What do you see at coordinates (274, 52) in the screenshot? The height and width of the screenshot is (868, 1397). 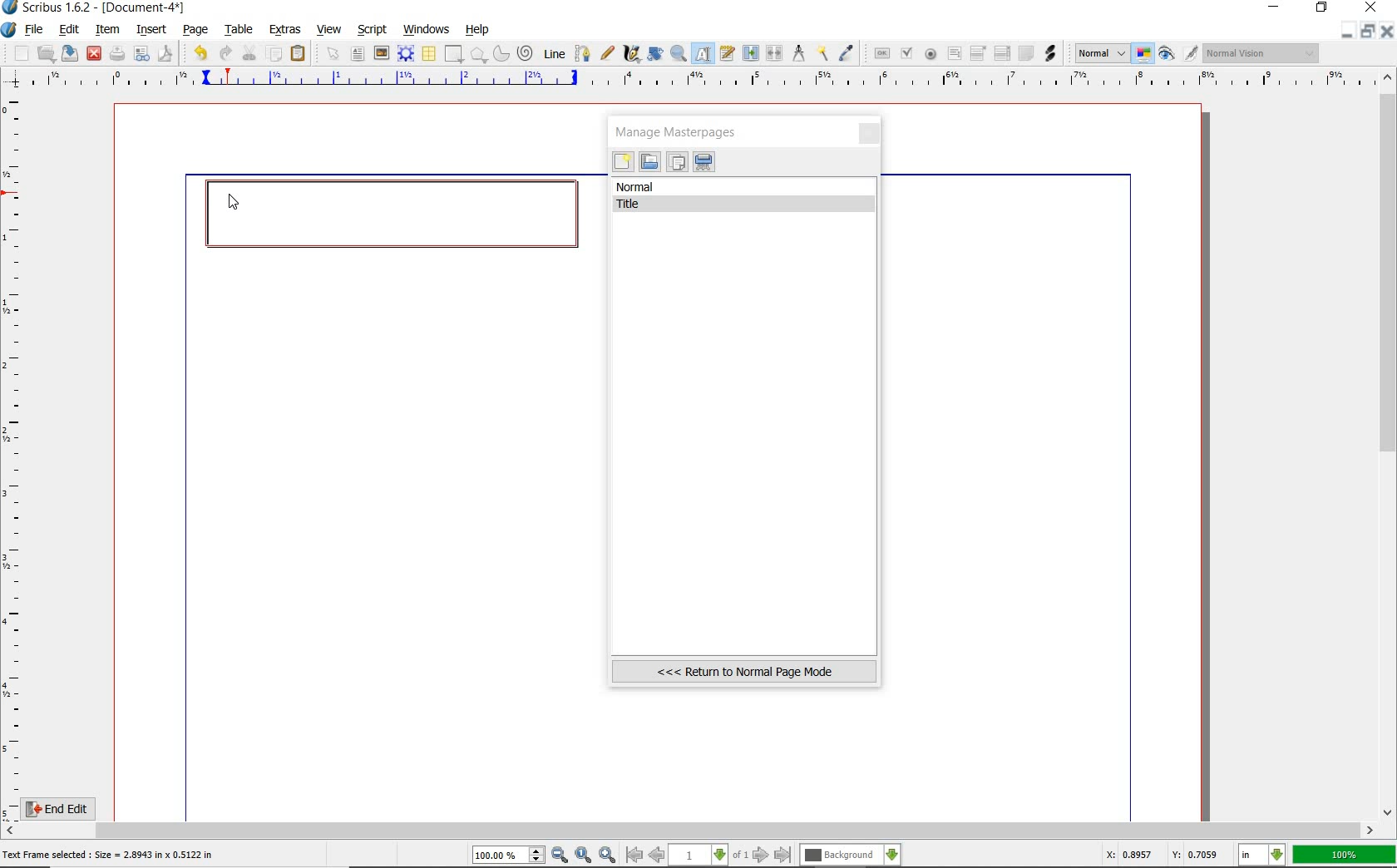 I see `copy` at bounding box center [274, 52].